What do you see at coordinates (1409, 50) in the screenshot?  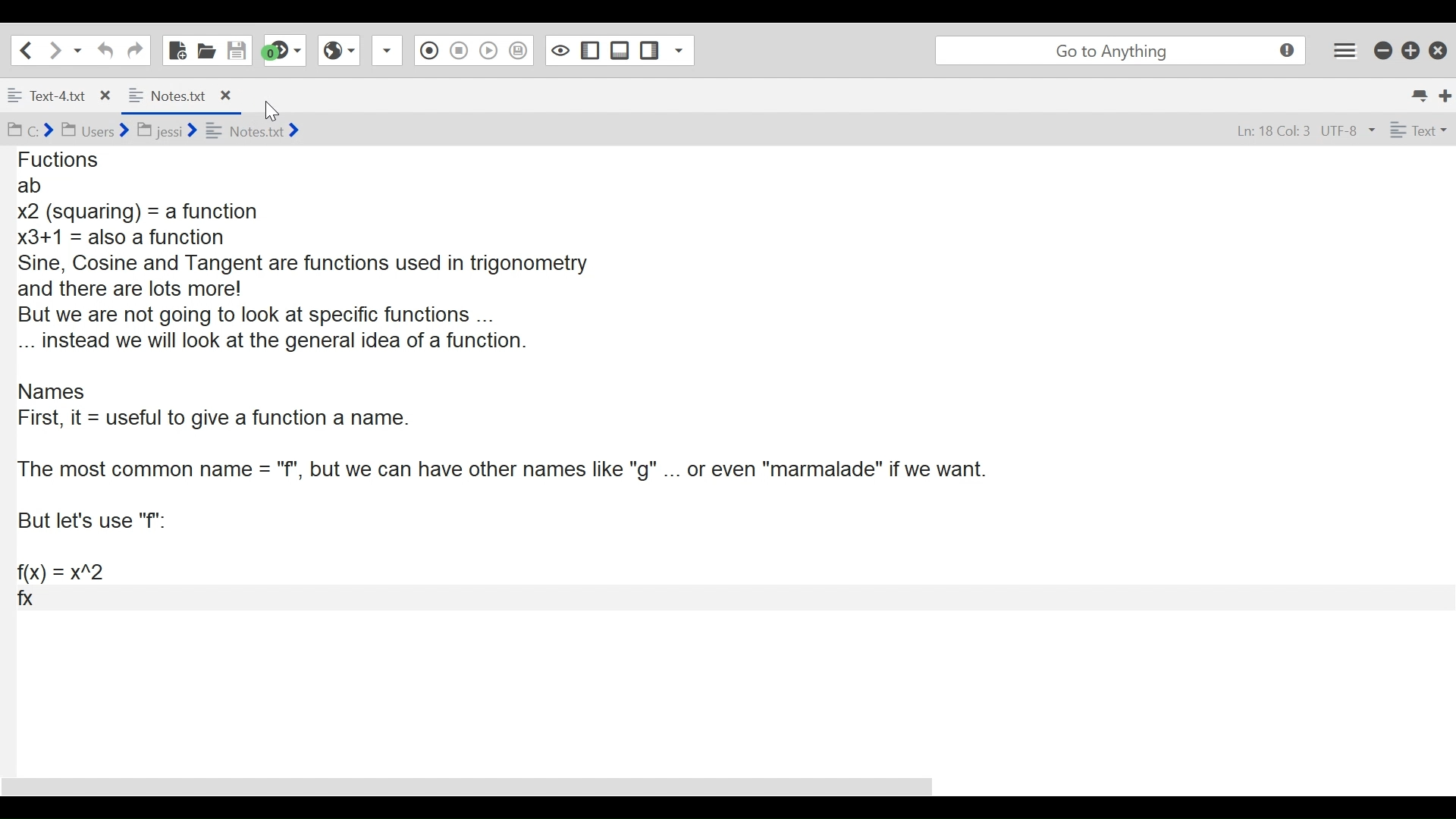 I see `Restore` at bounding box center [1409, 50].